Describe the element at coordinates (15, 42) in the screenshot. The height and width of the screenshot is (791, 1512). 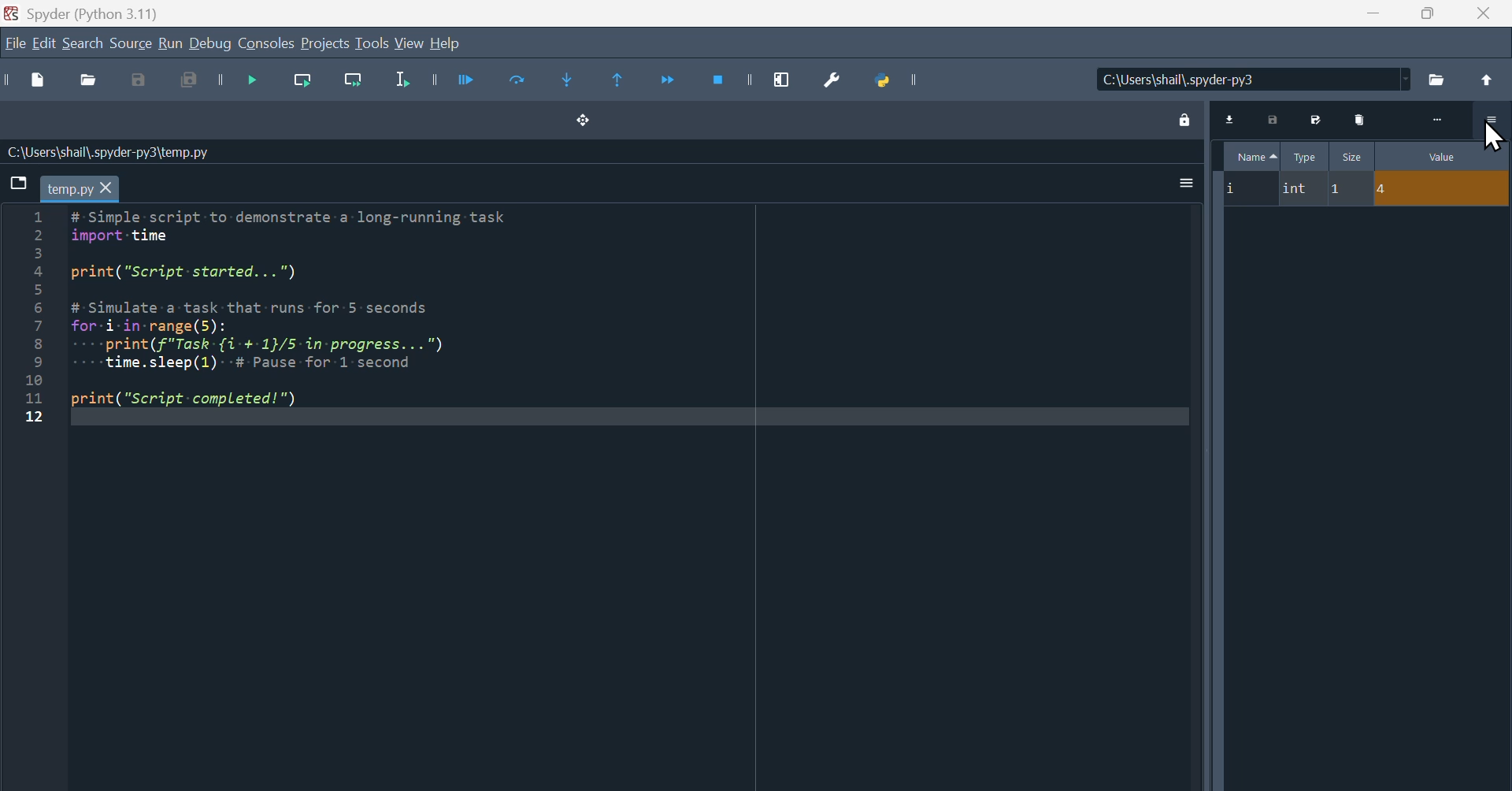
I see `File` at that location.